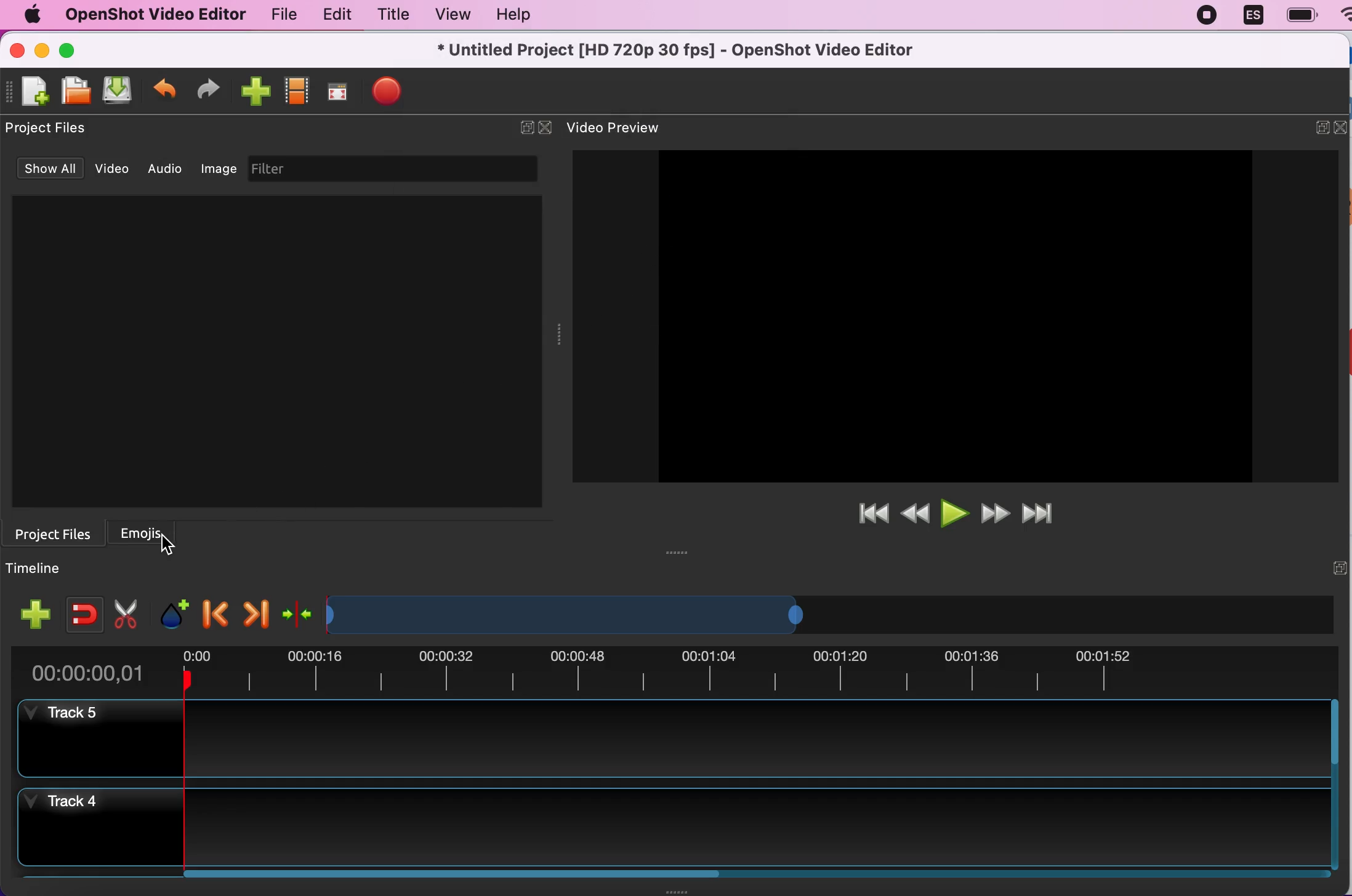 The width and height of the screenshot is (1352, 896). Describe the element at coordinates (874, 514) in the screenshot. I see `jump to start` at that location.